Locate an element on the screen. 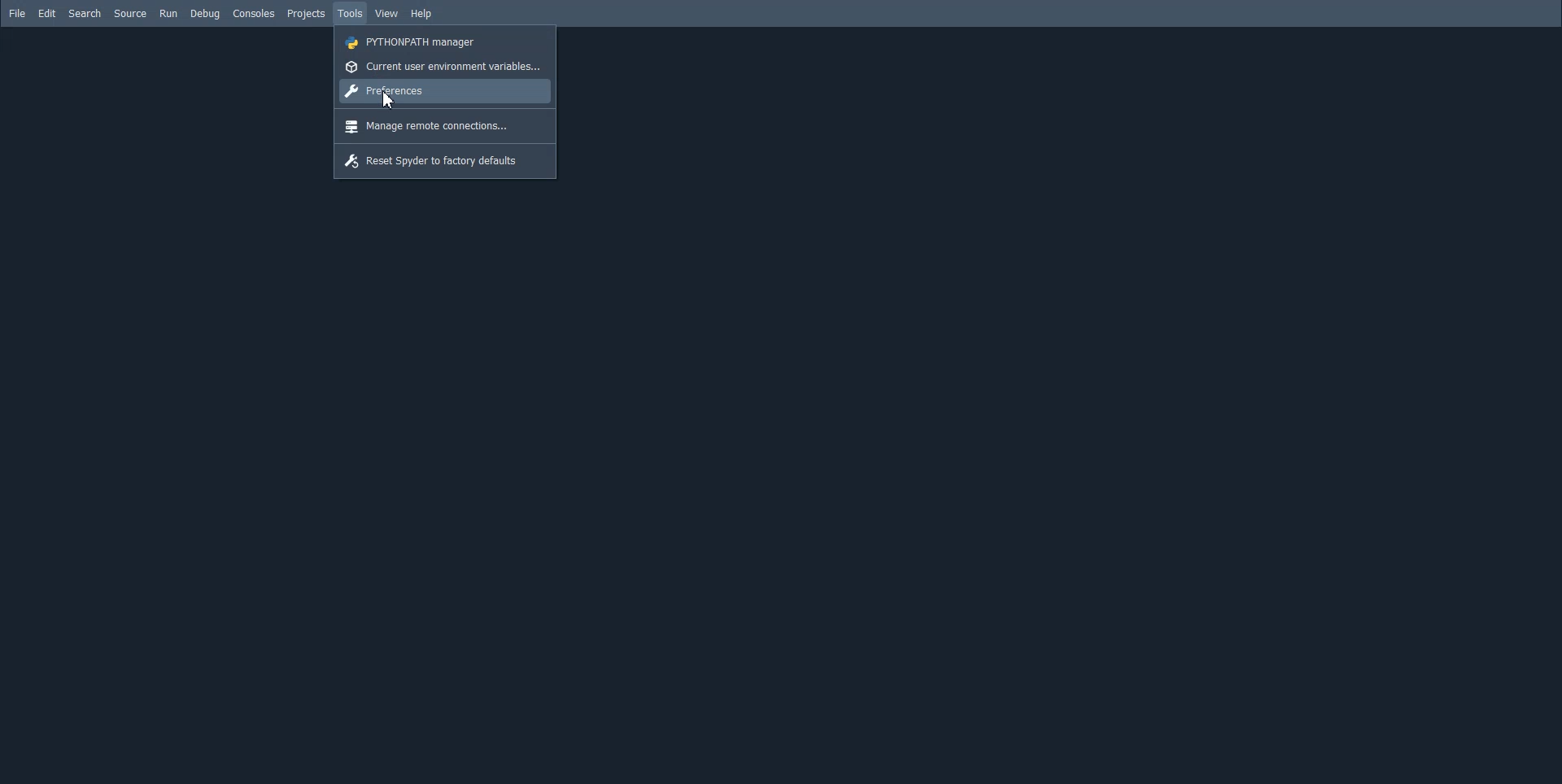 Image resolution: width=1562 pixels, height=784 pixels. Preferences is located at coordinates (445, 91).